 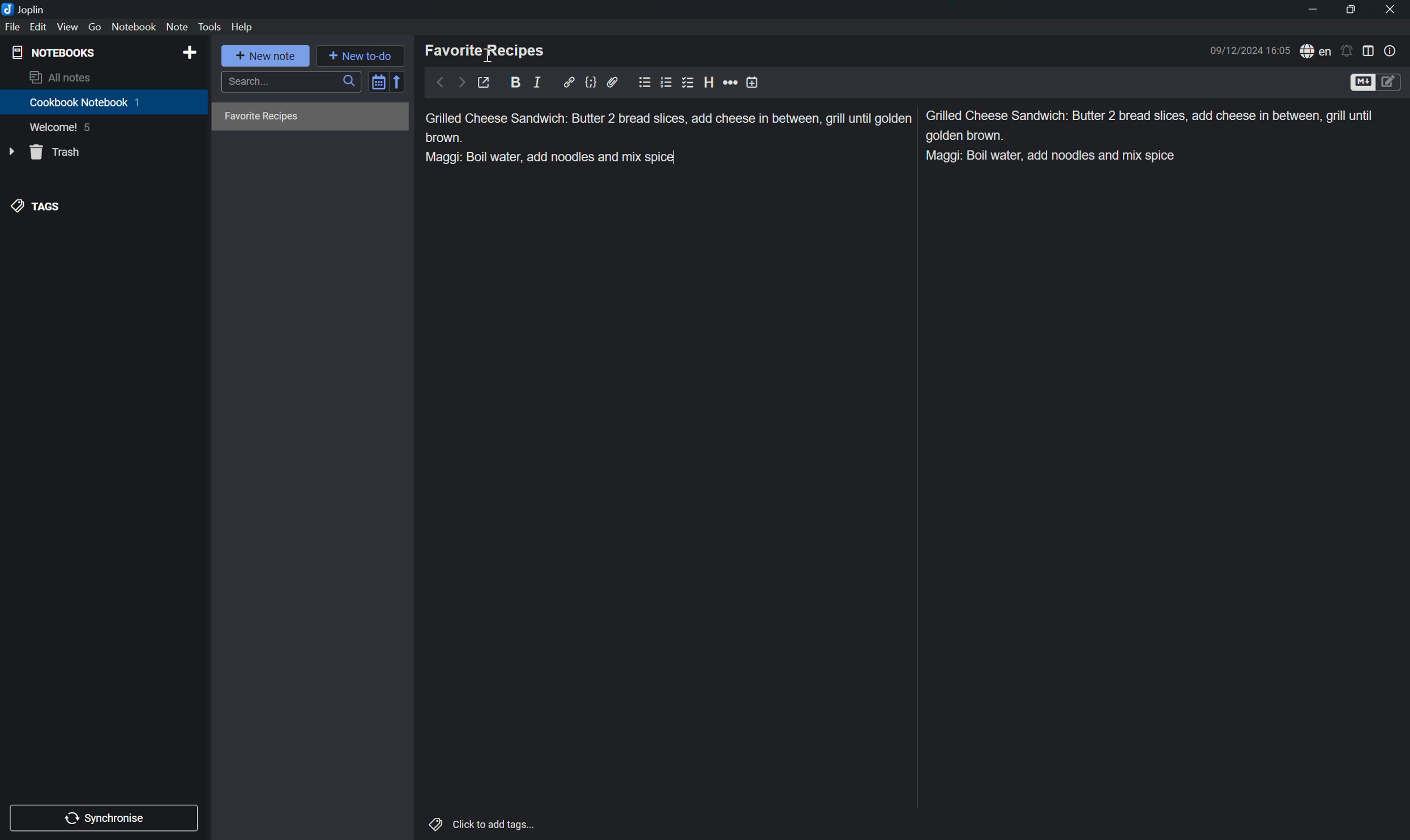 I want to click on Notebook, so click(x=134, y=27).